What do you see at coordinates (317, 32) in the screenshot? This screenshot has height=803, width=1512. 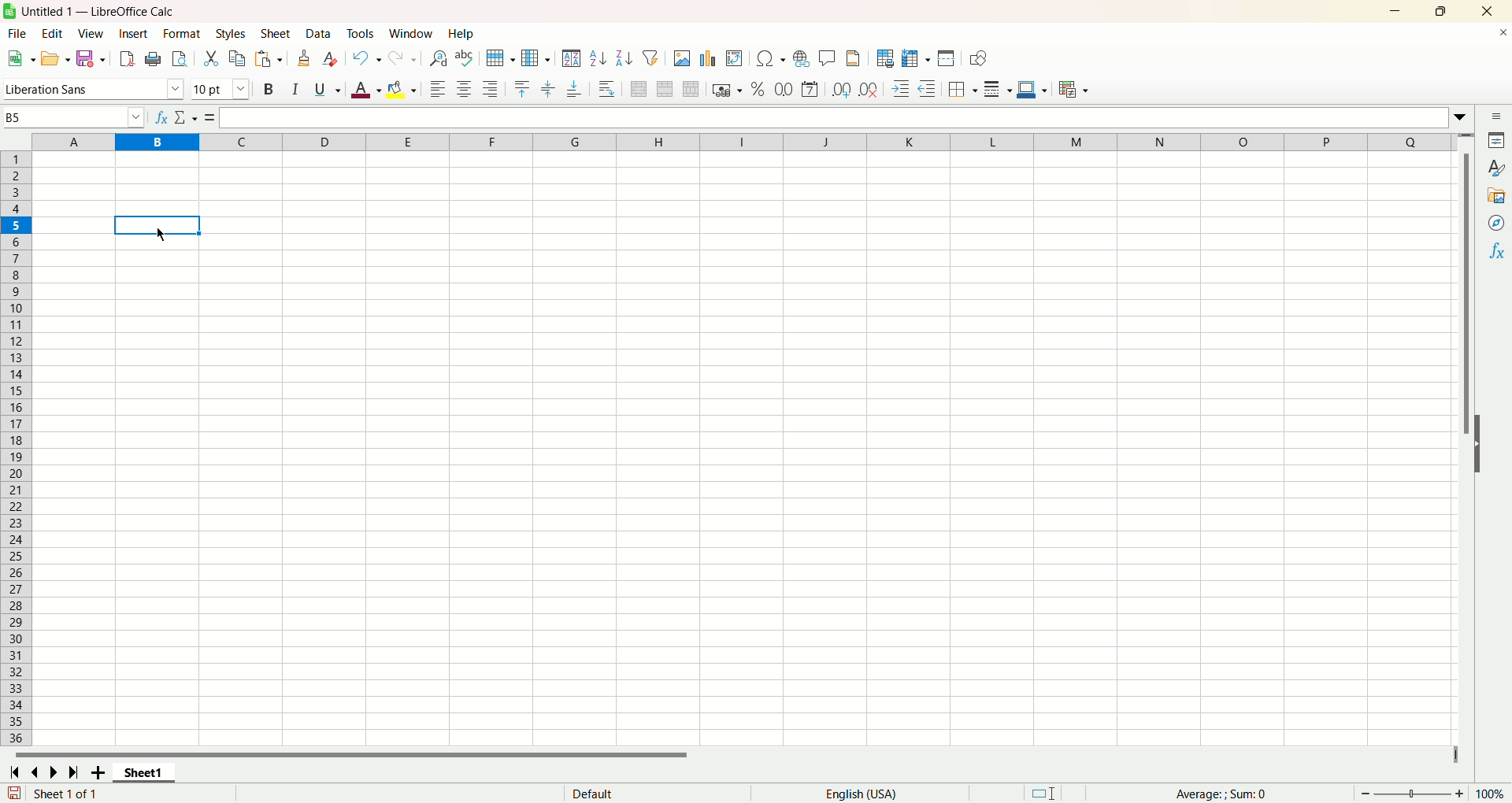 I see `data` at bounding box center [317, 32].